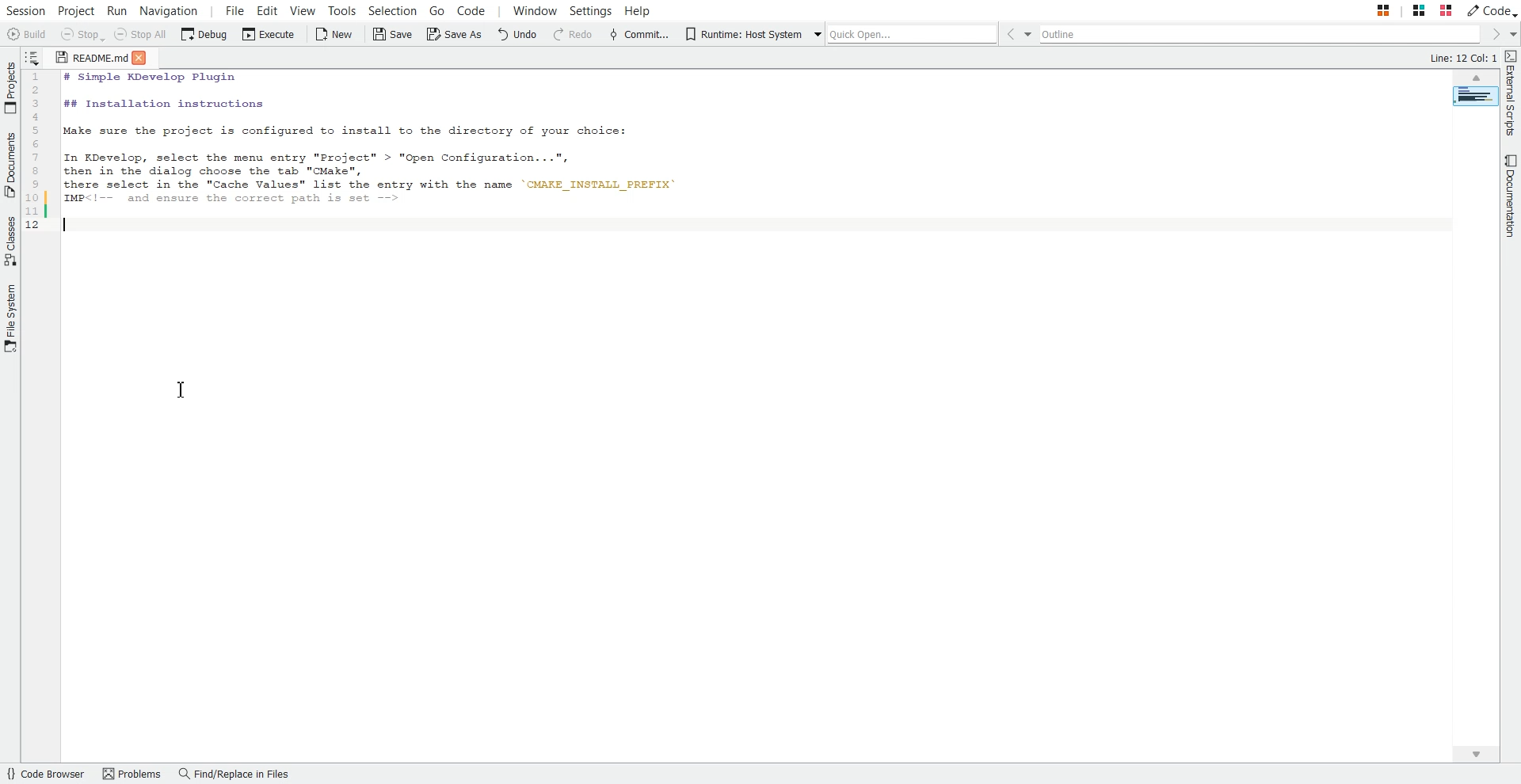 This screenshot has width=1521, height=784. What do you see at coordinates (436, 10) in the screenshot?
I see `Go` at bounding box center [436, 10].